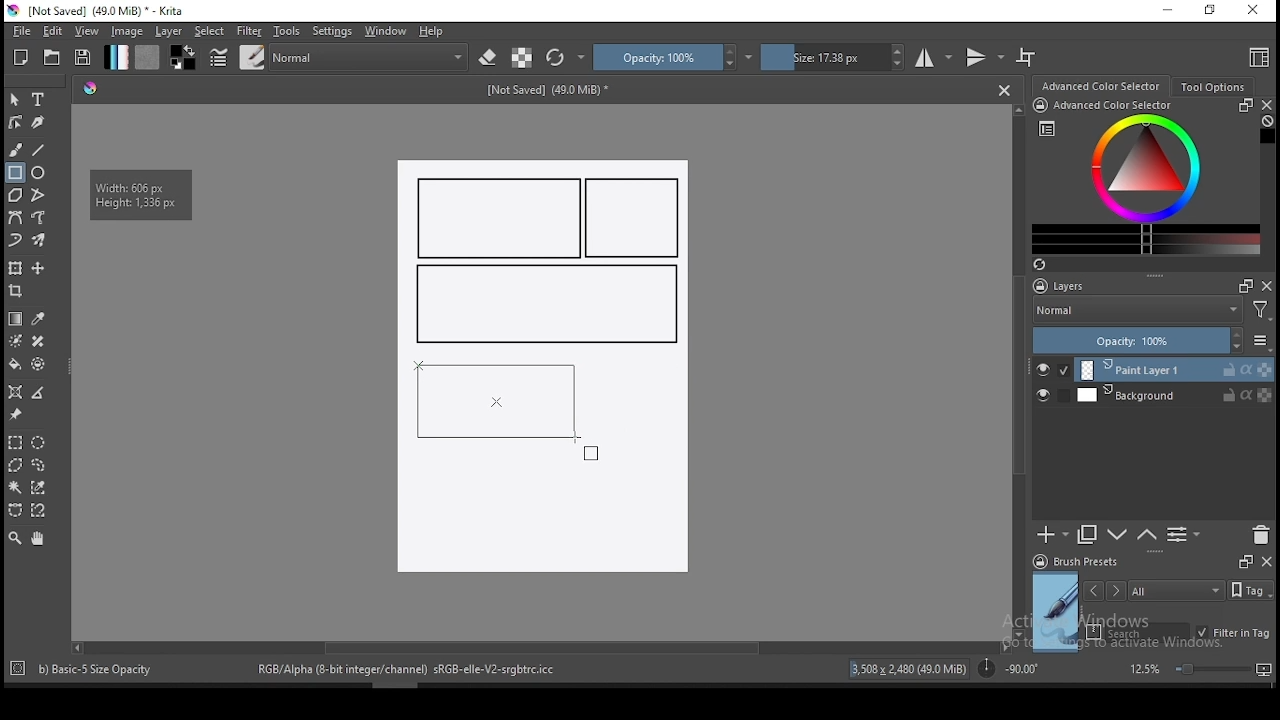  Describe the element at coordinates (539, 646) in the screenshot. I see `scroll bar` at that location.